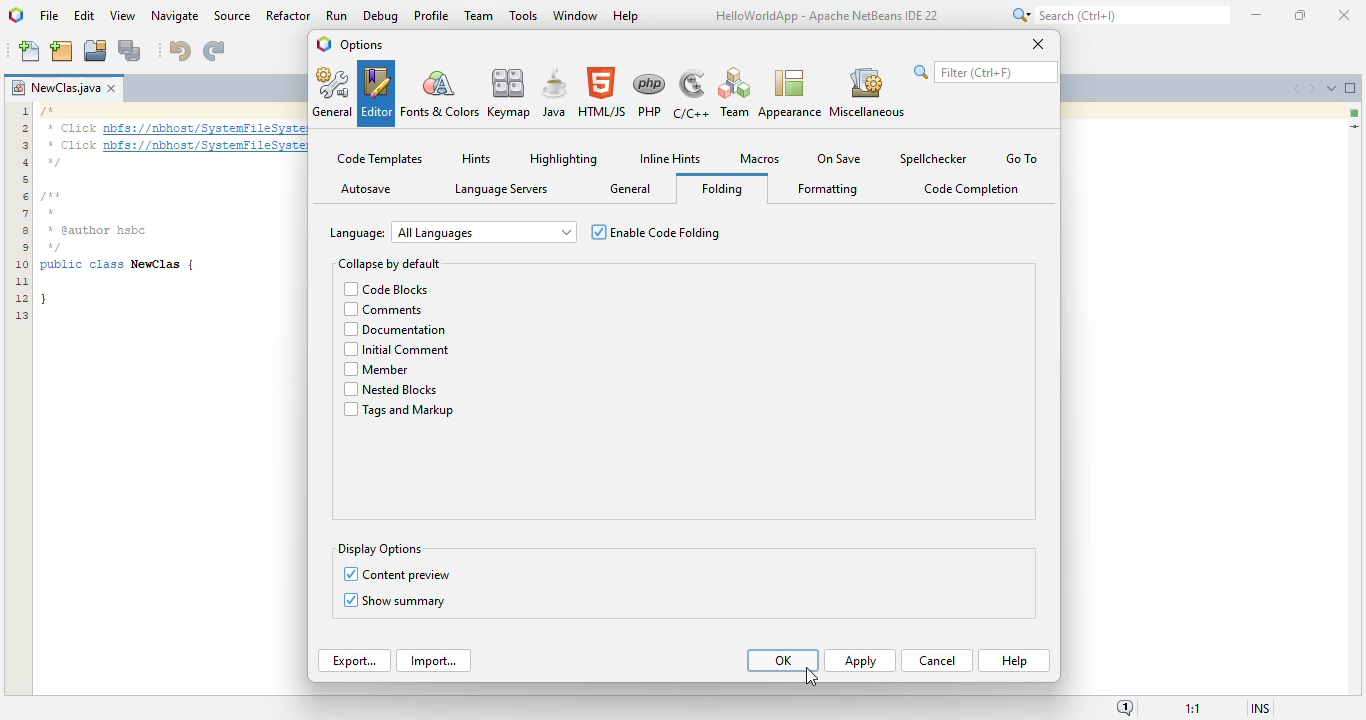 Image resolution: width=1366 pixels, height=720 pixels. Describe the element at coordinates (332, 91) in the screenshot. I see `general` at that location.